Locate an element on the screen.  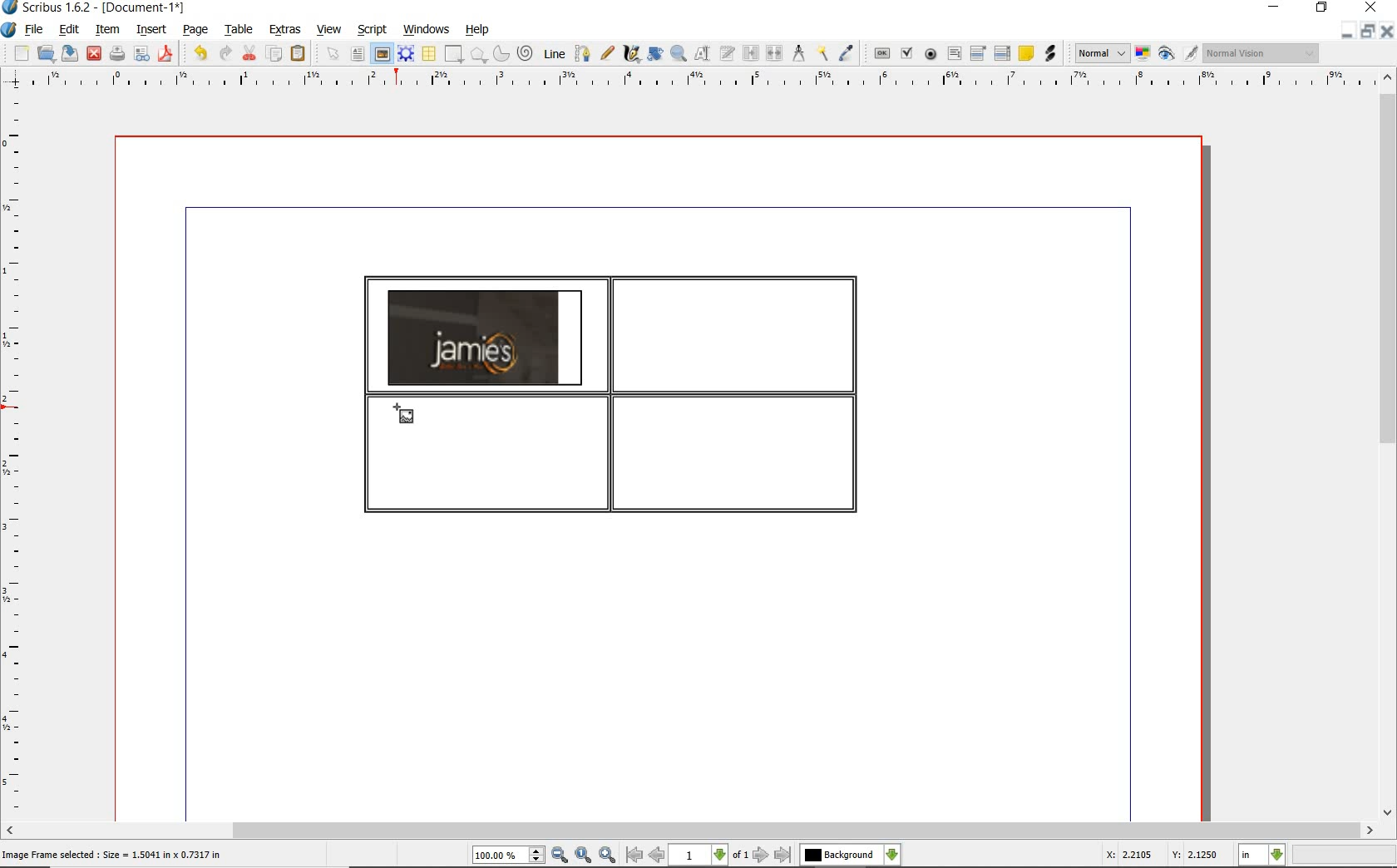
table is located at coordinates (430, 55).